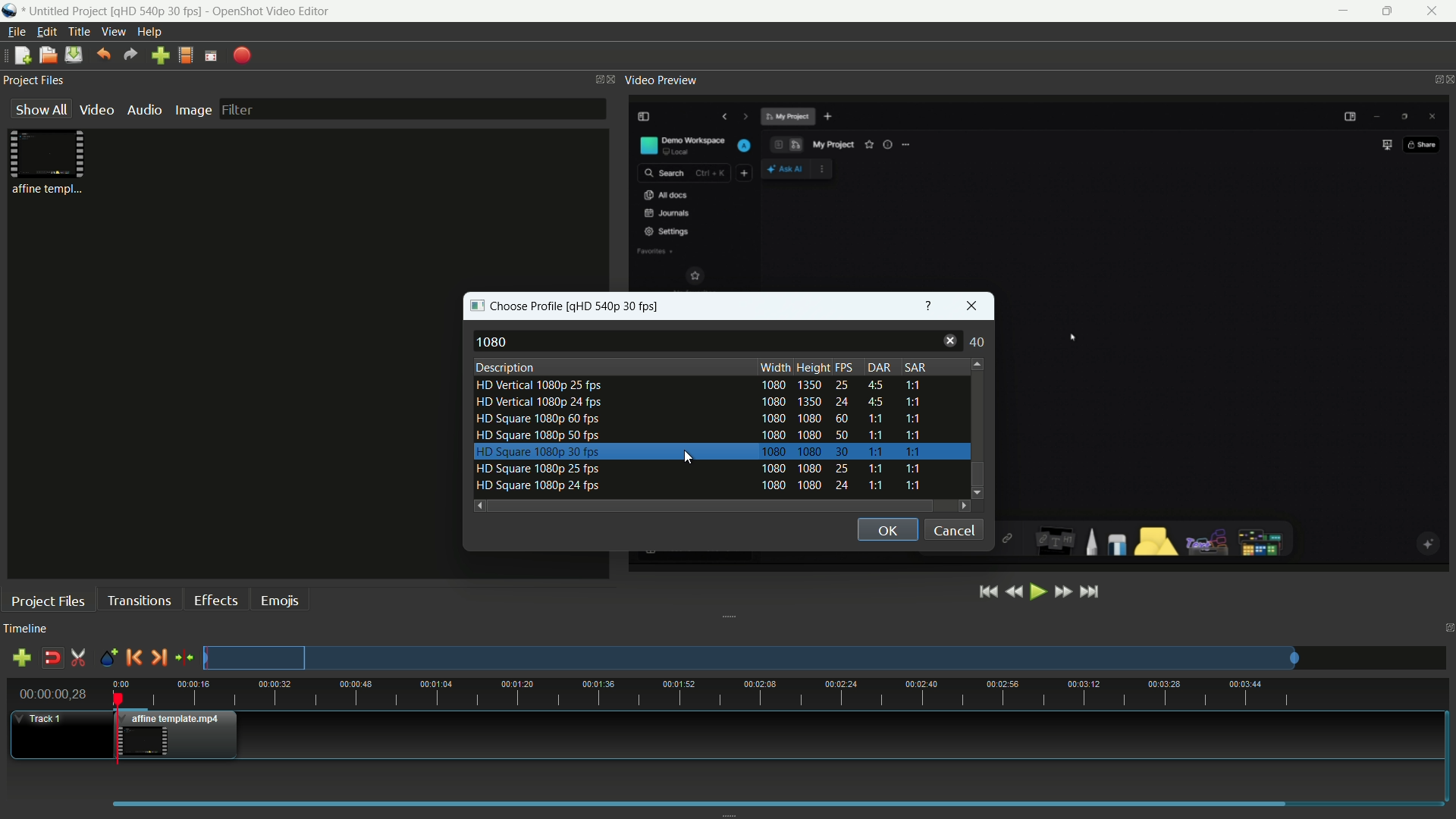 The width and height of the screenshot is (1456, 819). Describe the element at coordinates (976, 342) in the screenshot. I see `414` at that location.